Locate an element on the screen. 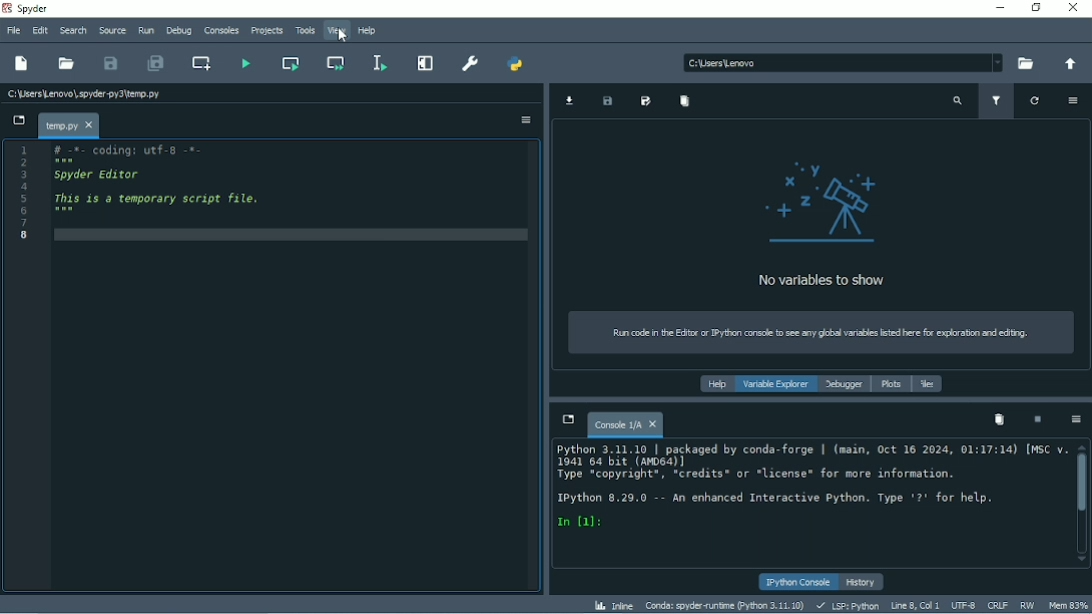 This screenshot has height=614, width=1092. Vertical scrollbar is located at coordinates (1082, 483).